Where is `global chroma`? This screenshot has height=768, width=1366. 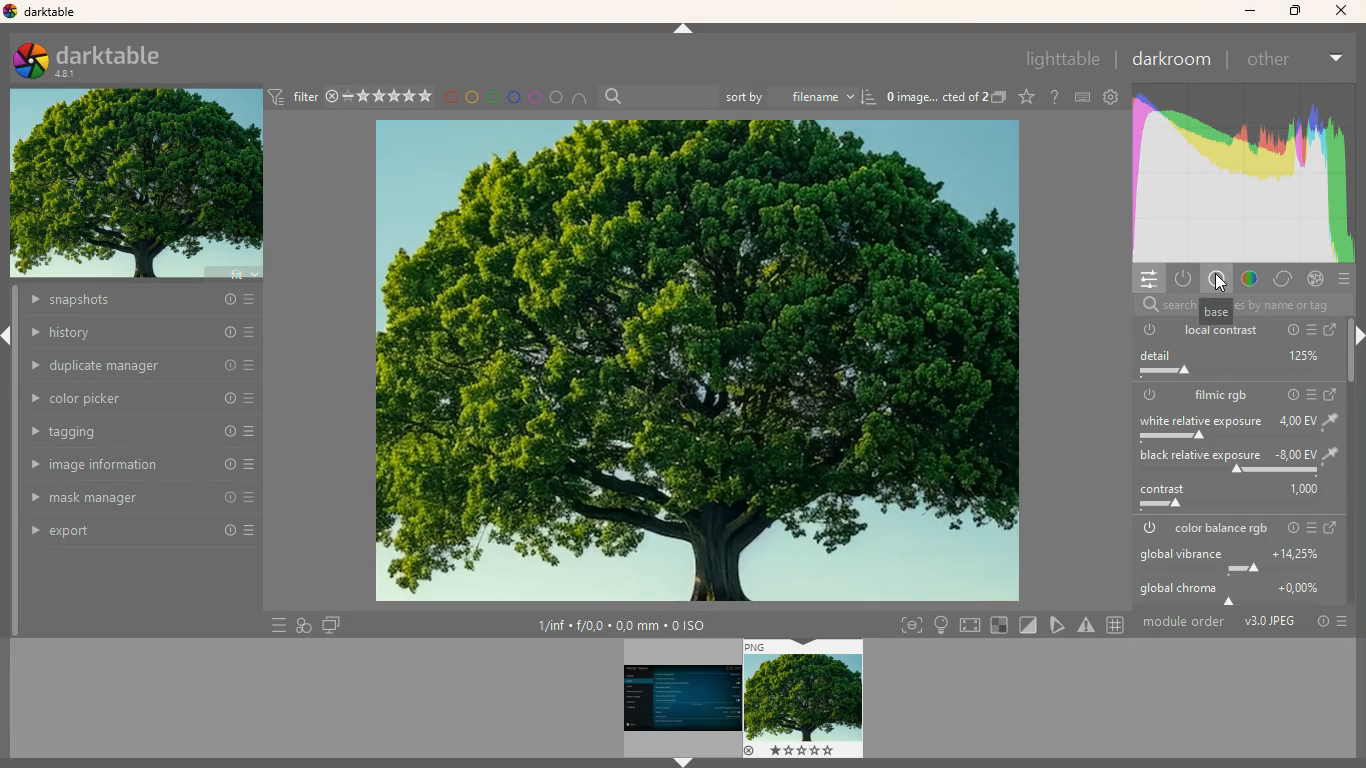 global chroma is located at coordinates (1239, 593).